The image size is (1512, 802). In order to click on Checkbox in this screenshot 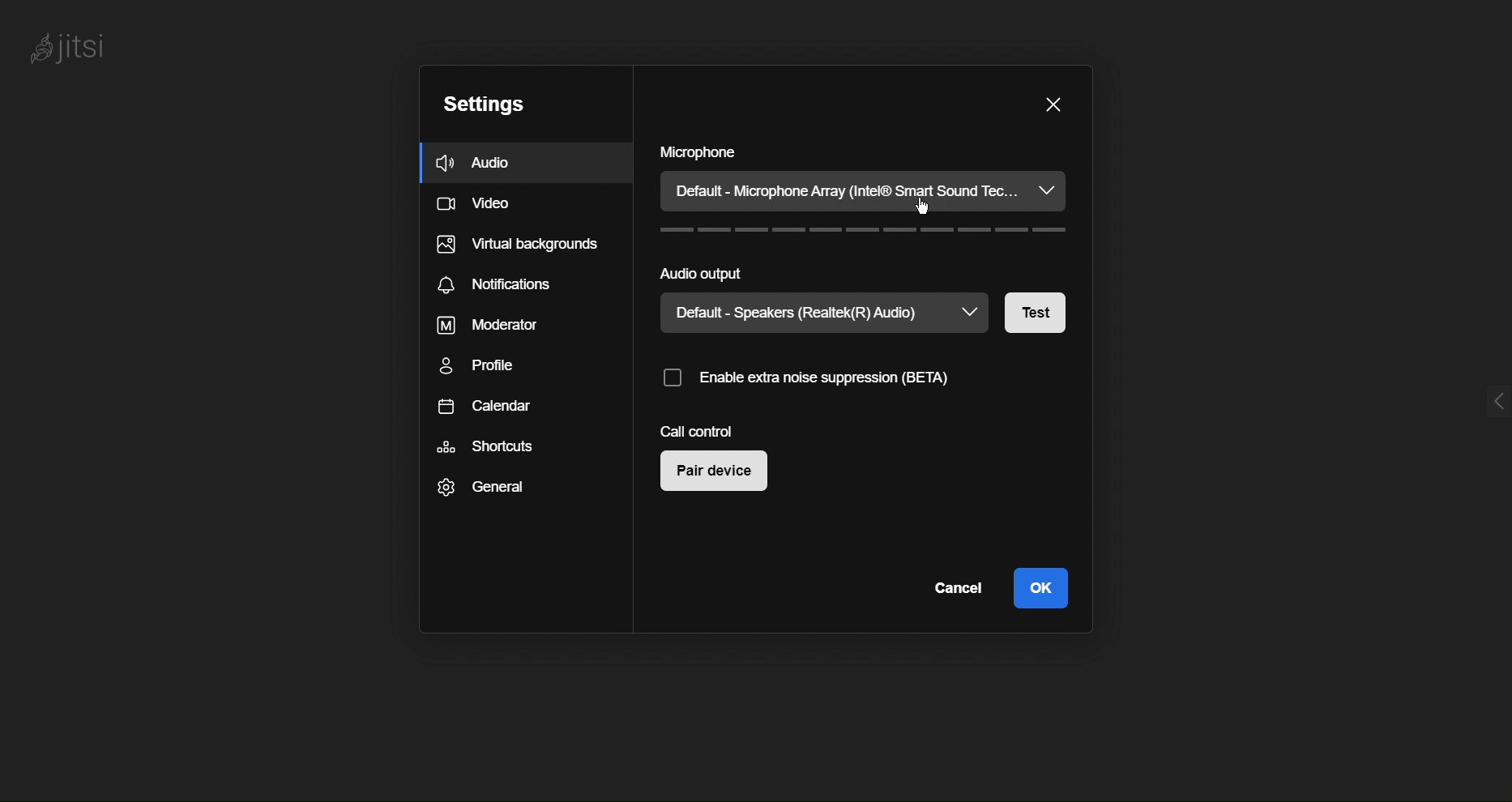, I will do `click(671, 381)`.